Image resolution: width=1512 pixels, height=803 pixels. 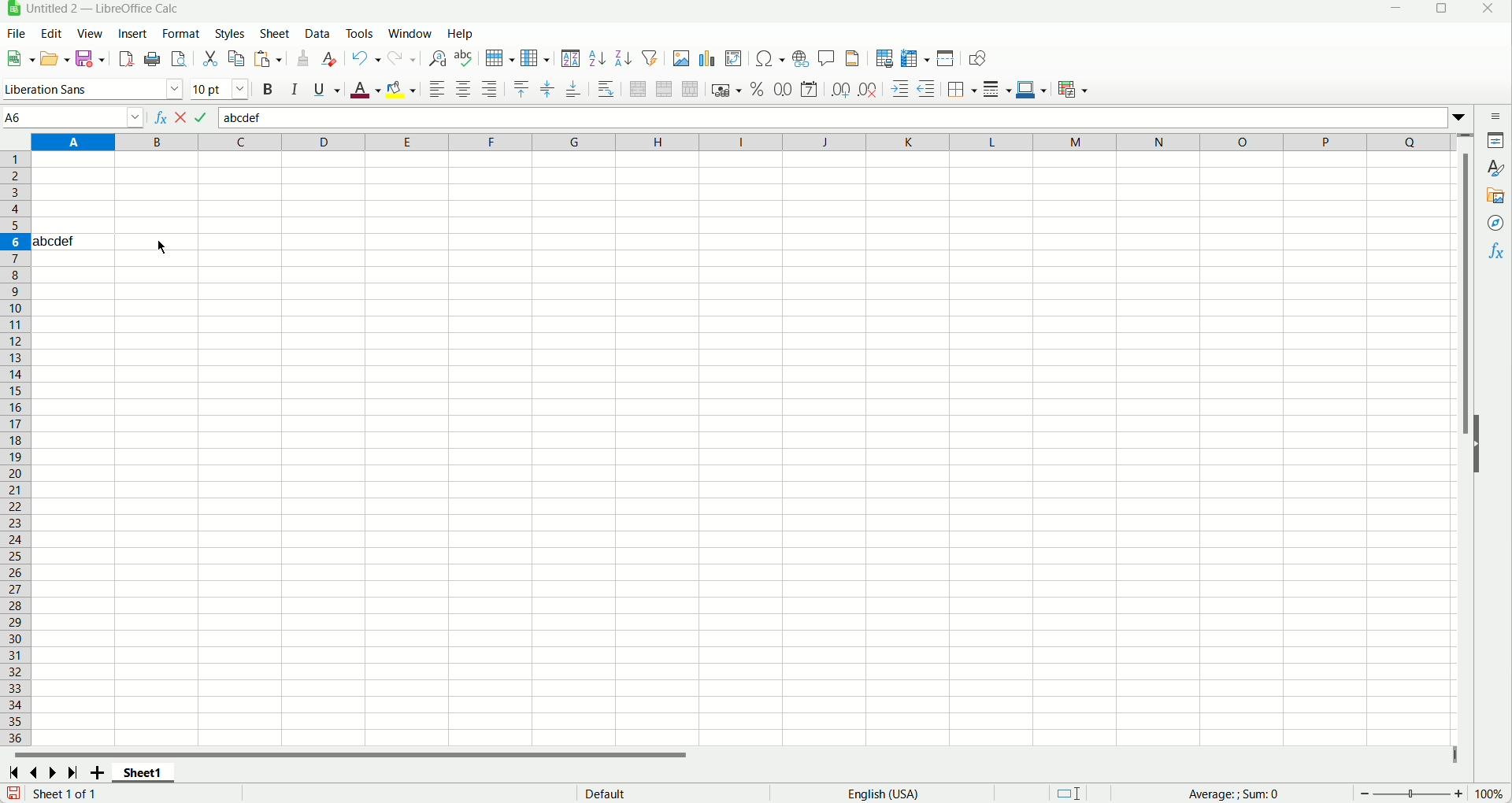 What do you see at coordinates (127, 59) in the screenshot?
I see `export as PDF` at bounding box center [127, 59].